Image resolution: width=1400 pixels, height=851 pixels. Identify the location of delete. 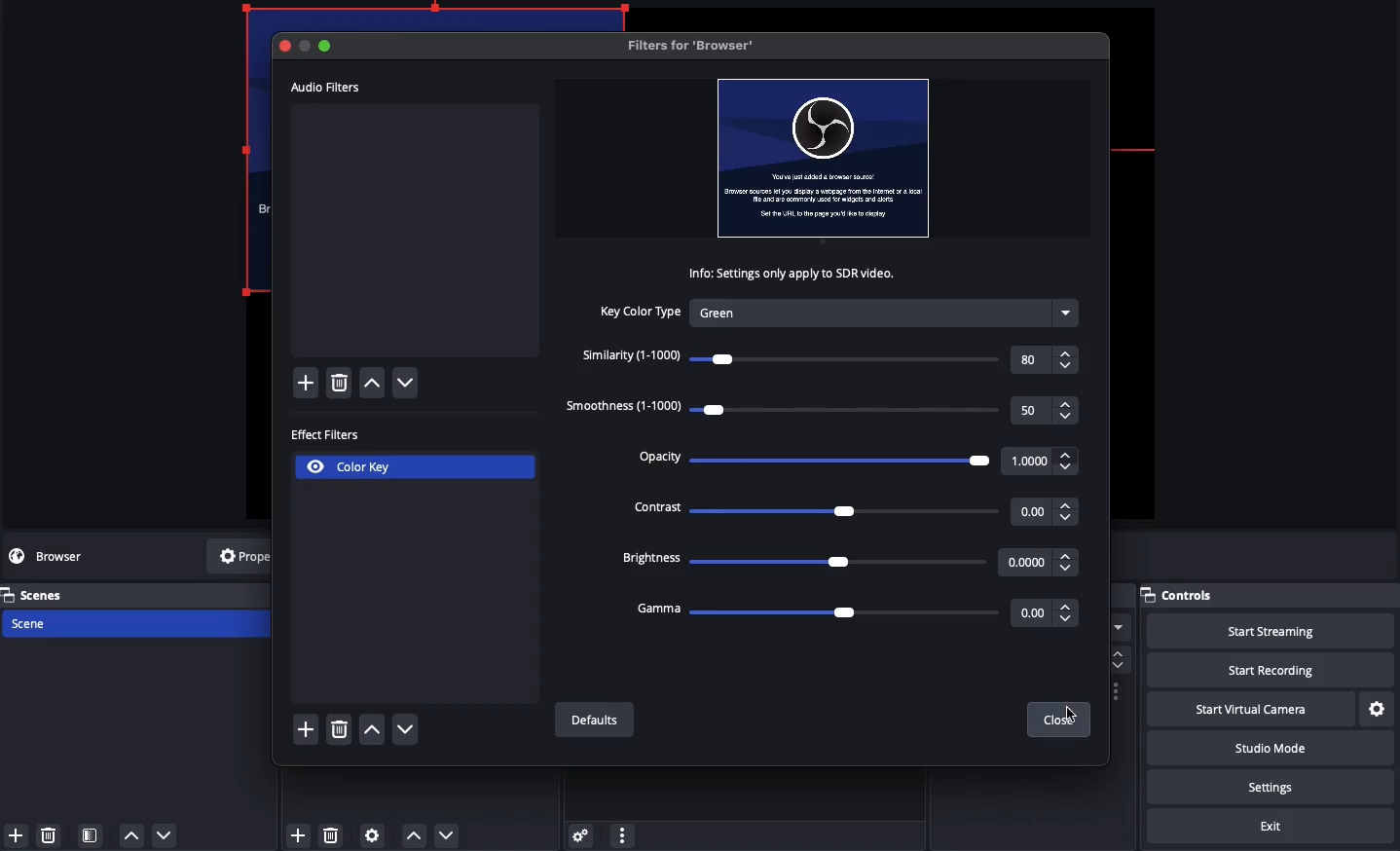
(336, 836).